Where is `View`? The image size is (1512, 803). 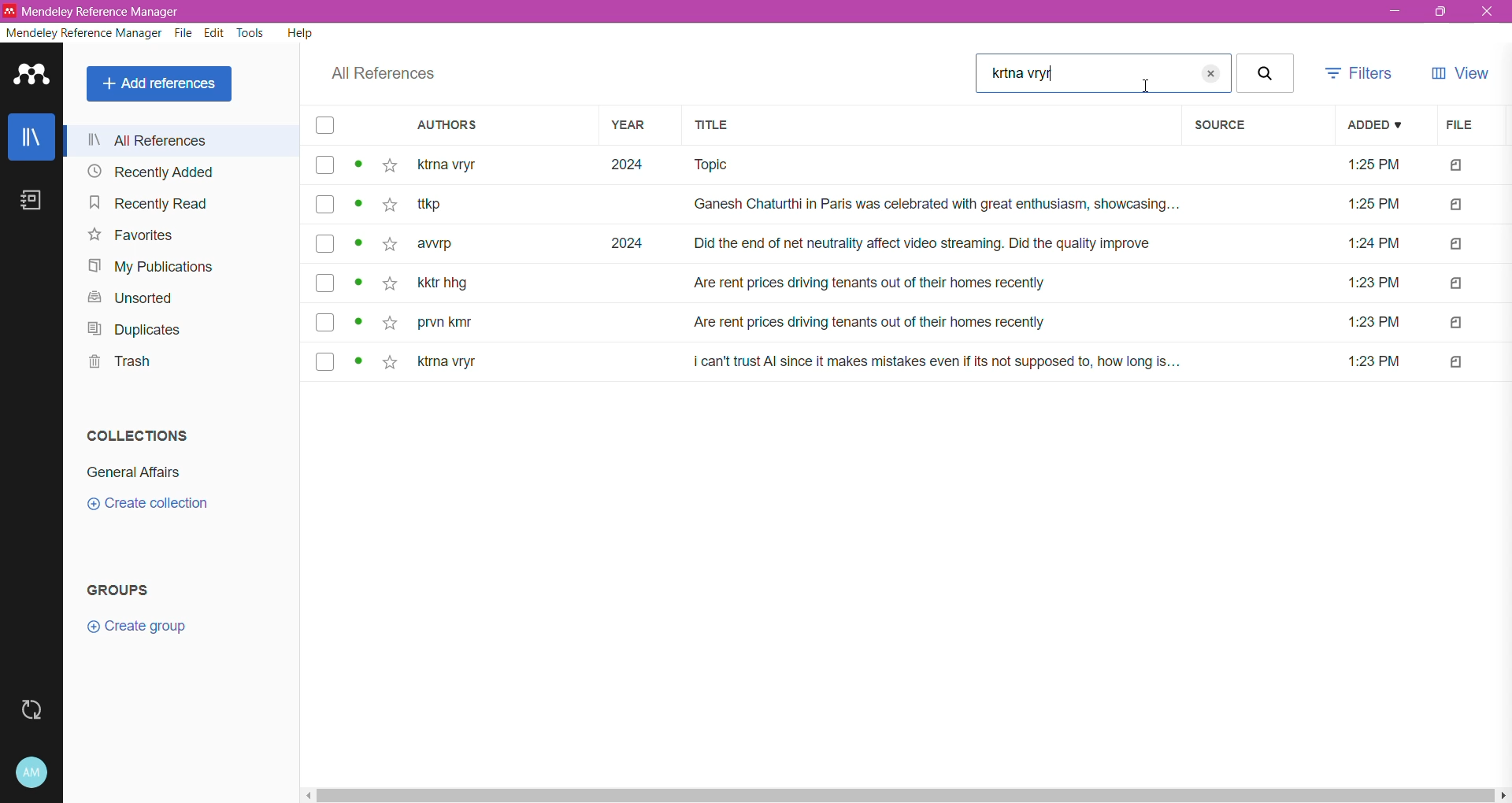
View is located at coordinates (1462, 72).